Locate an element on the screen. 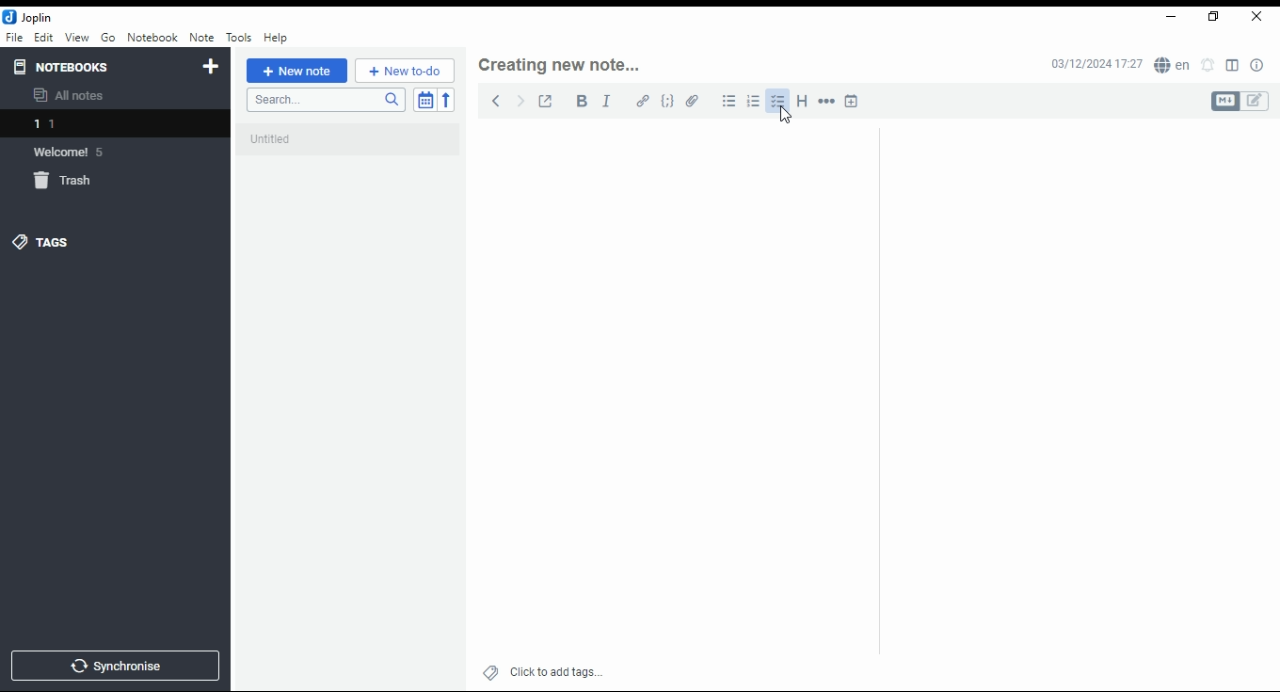 Image resolution: width=1280 pixels, height=692 pixels. set alarm is located at coordinates (1211, 65).